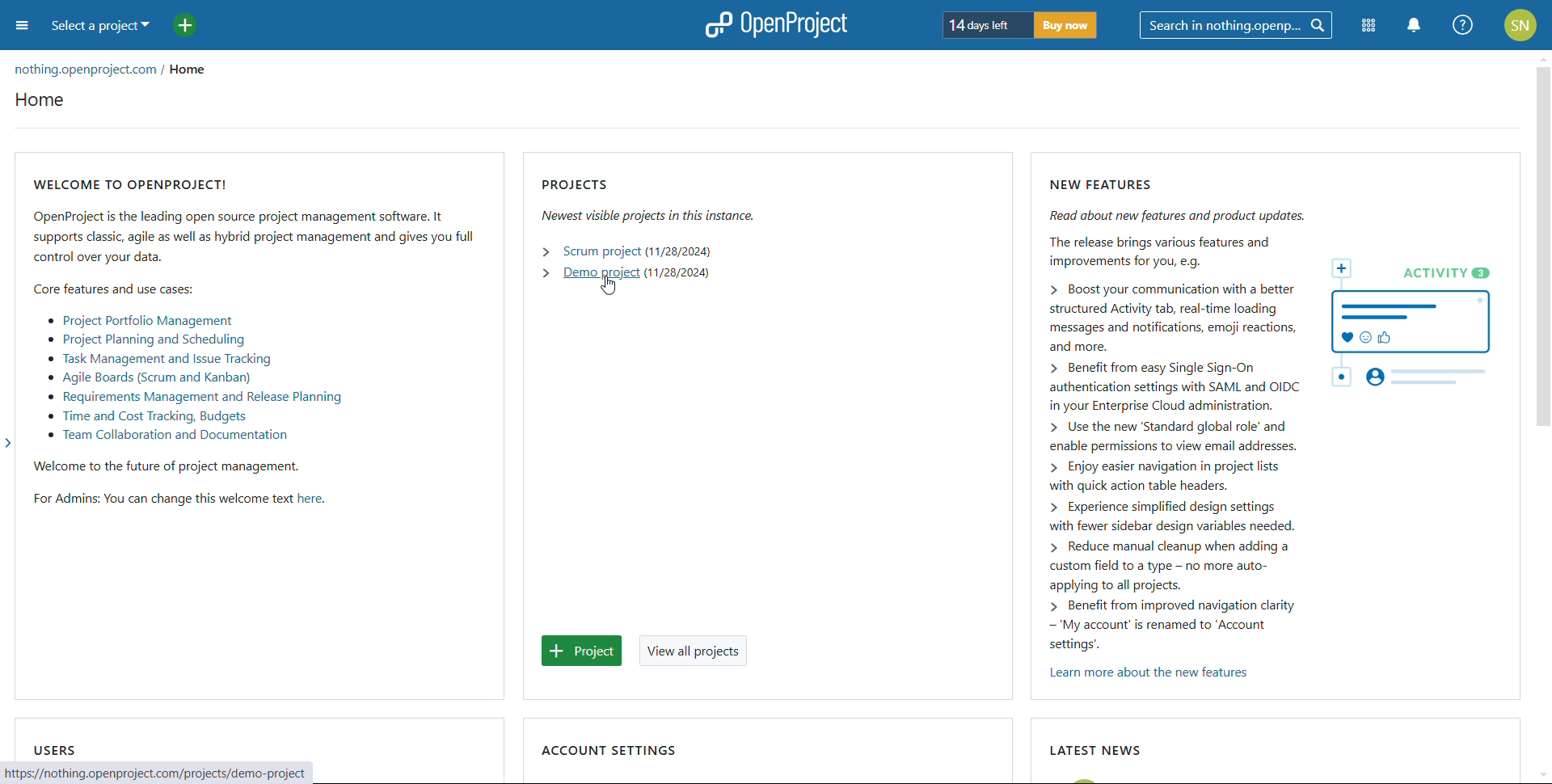 This screenshot has height=784, width=1552. I want to click on help, so click(1462, 25).